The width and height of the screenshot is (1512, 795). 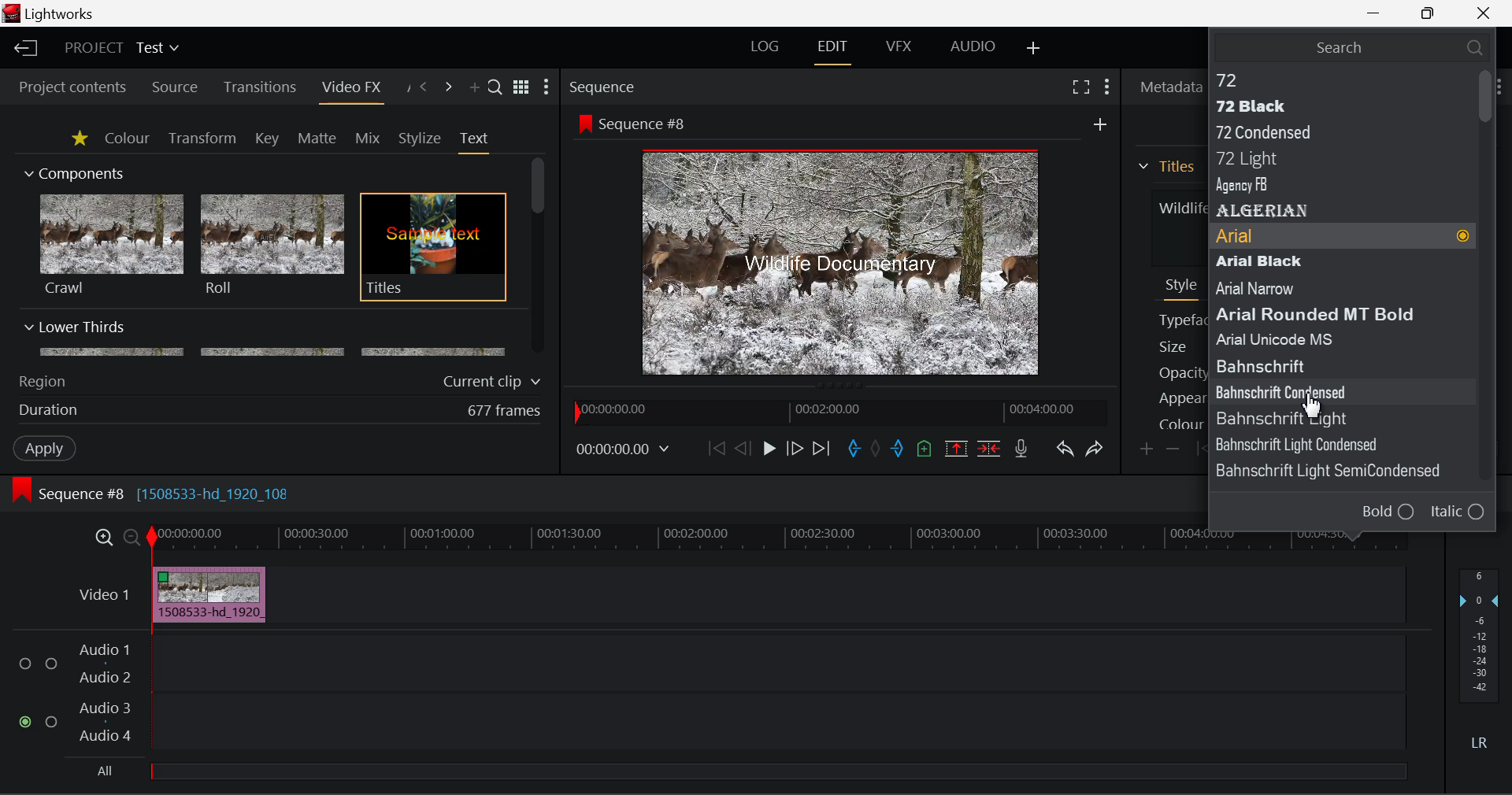 I want to click on Show Settings, so click(x=1109, y=87).